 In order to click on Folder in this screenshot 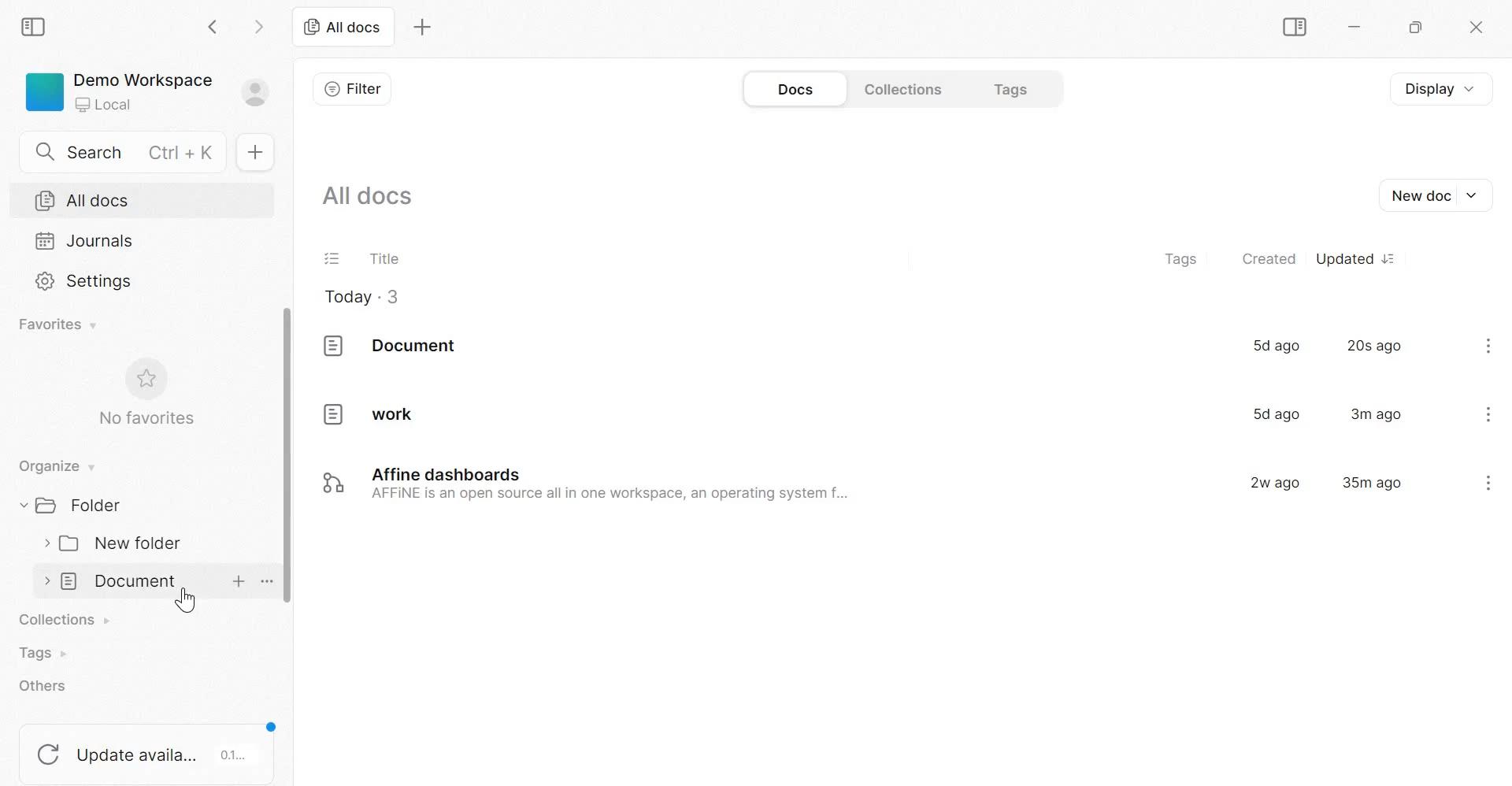, I will do `click(80, 505)`.